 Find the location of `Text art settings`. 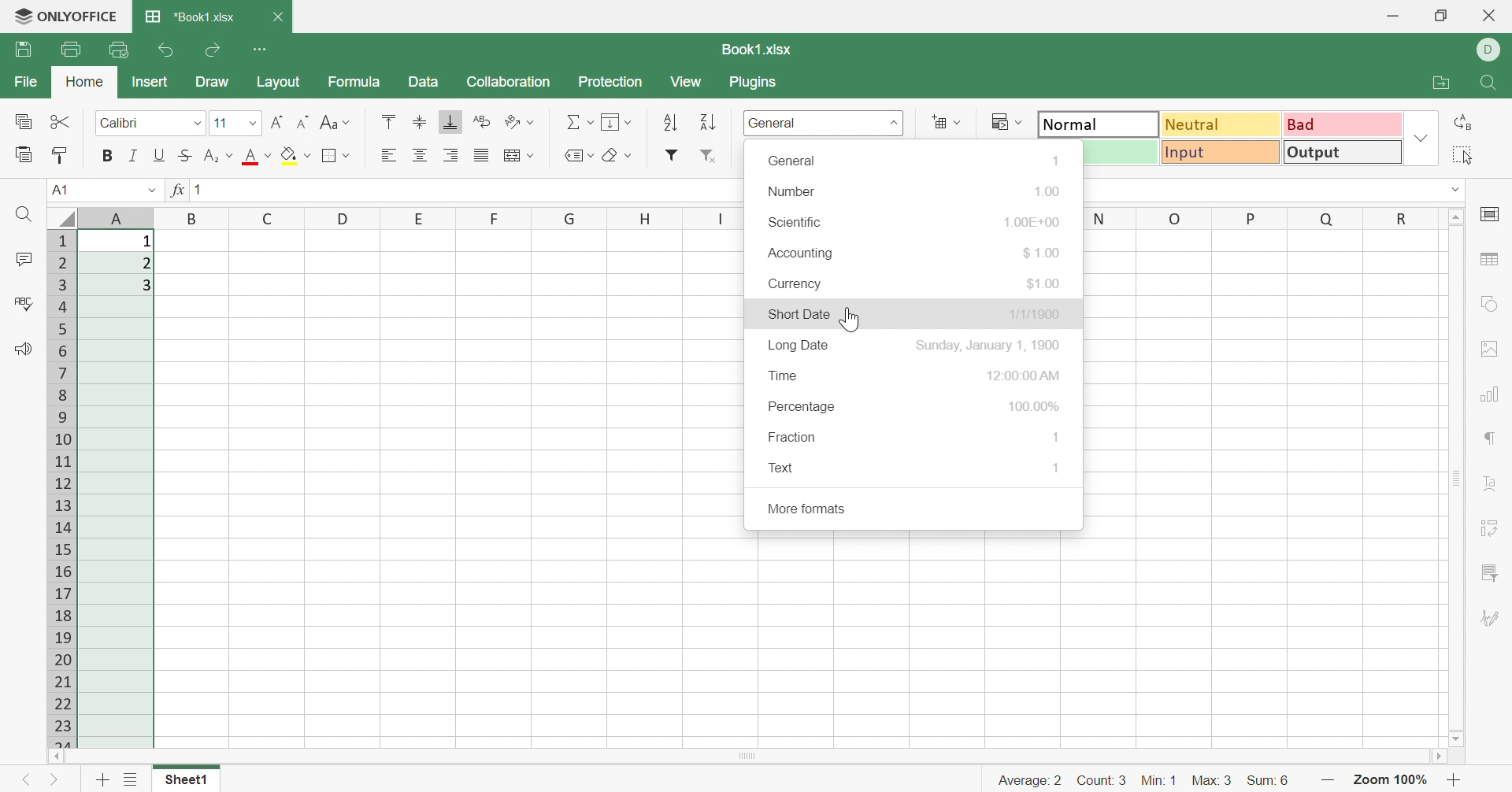

Text art settings is located at coordinates (1489, 483).